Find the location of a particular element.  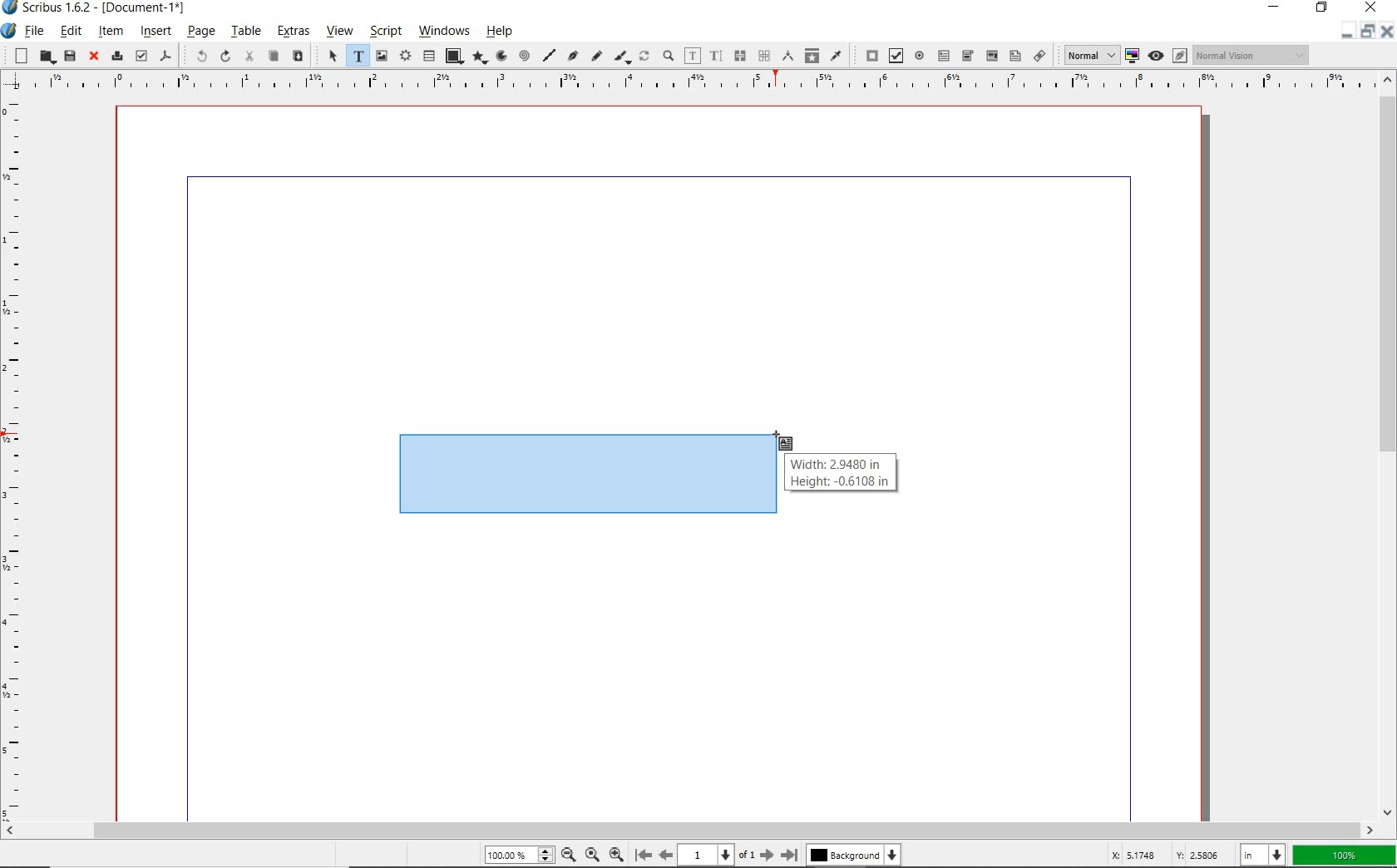

in is located at coordinates (1265, 854).